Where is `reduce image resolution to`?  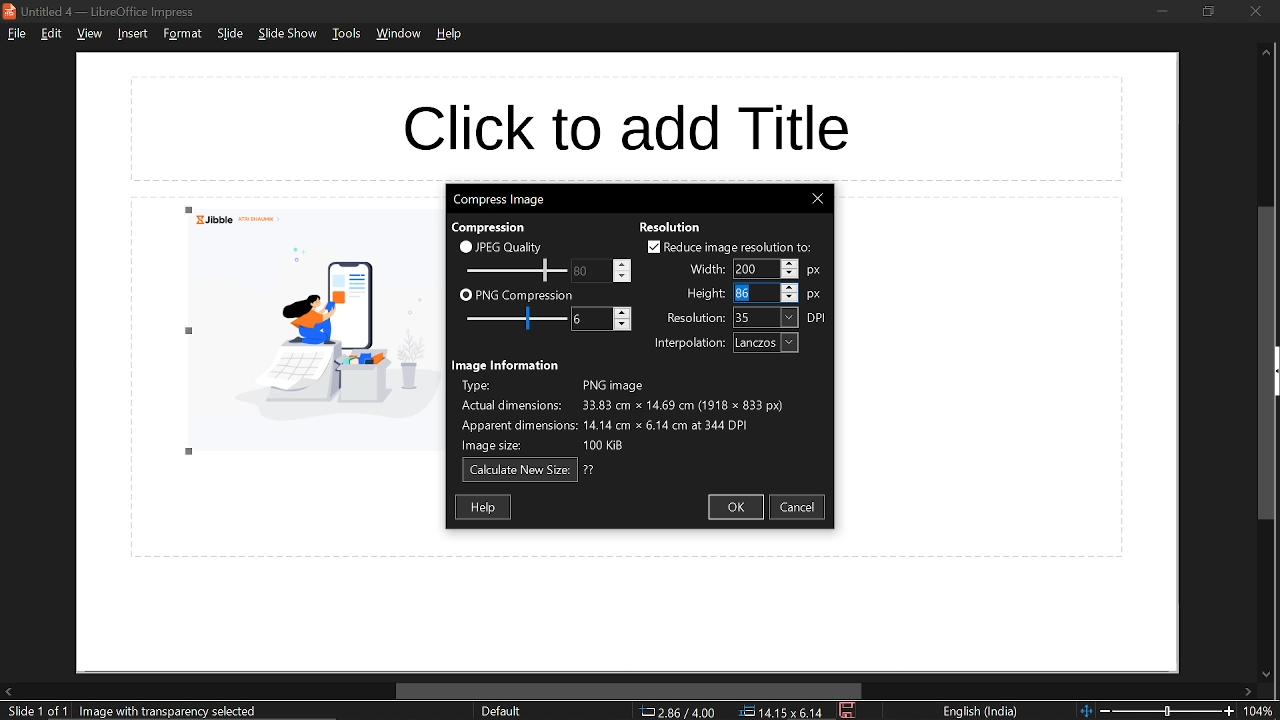 reduce image resolution to is located at coordinates (730, 247).